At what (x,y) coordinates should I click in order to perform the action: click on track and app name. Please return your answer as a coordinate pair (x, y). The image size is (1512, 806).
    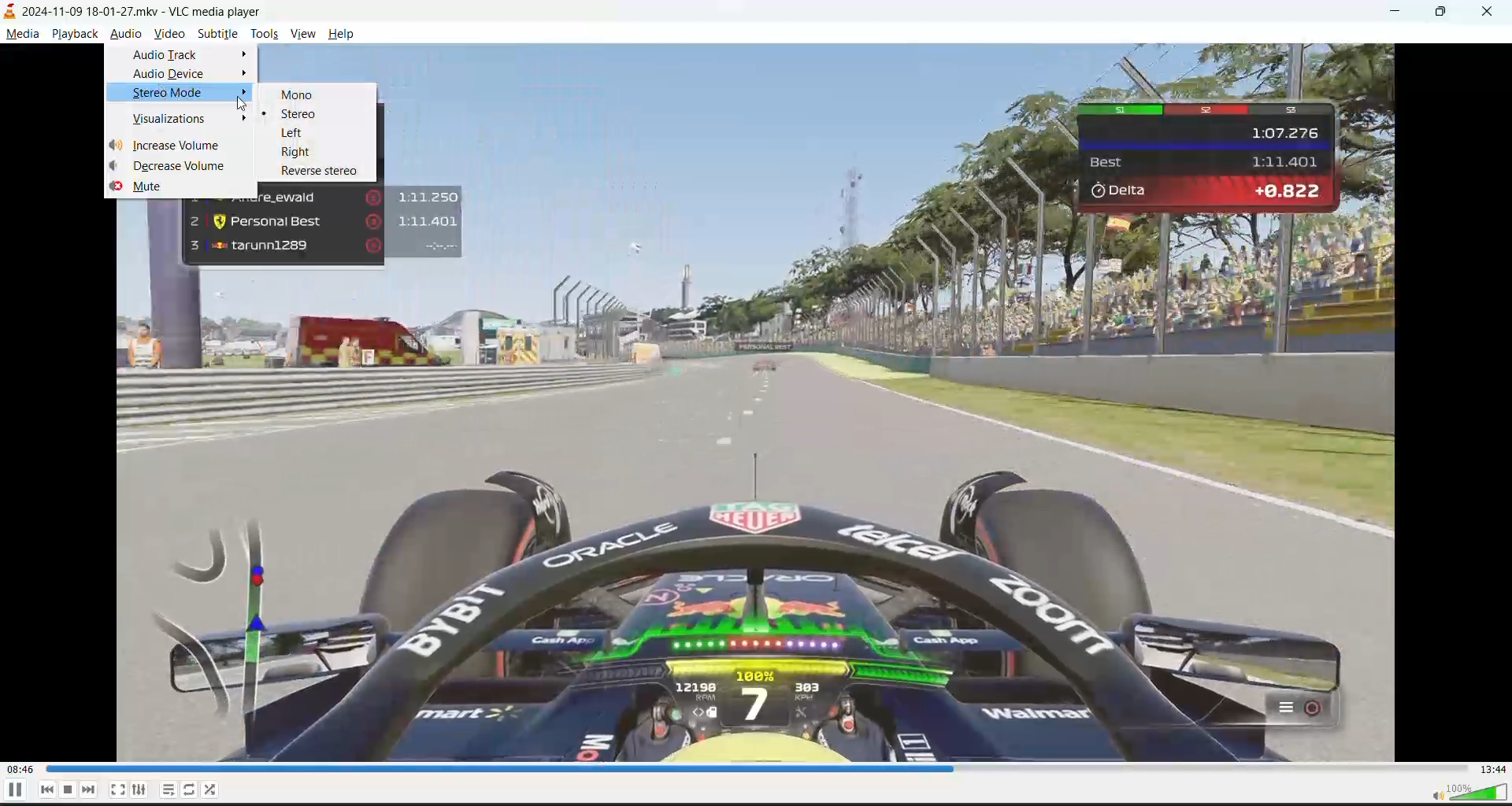
    Looking at the image, I should click on (139, 11).